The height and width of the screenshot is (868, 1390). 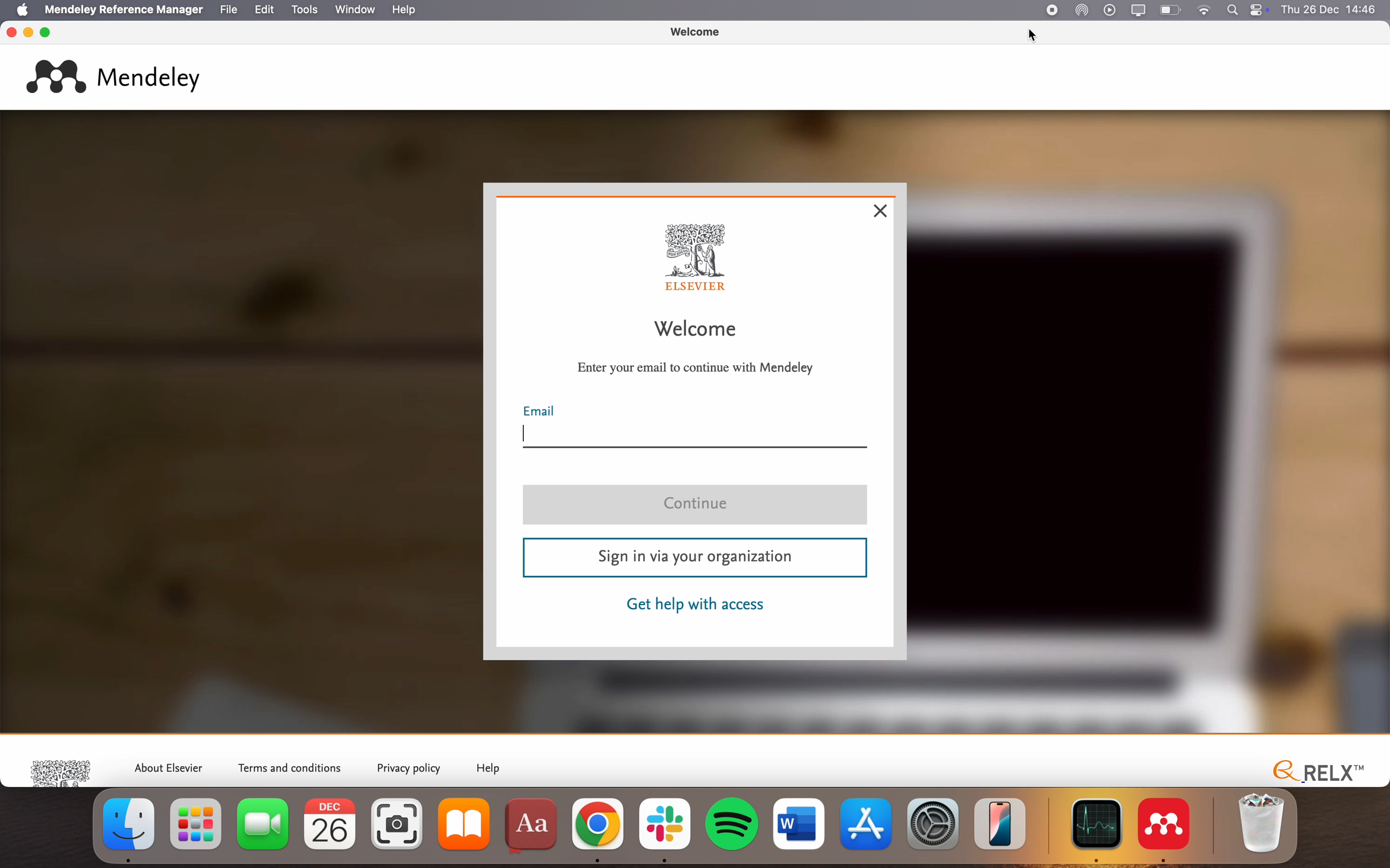 What do you see at coordinates (62, 769) in the screenshot?
I see `elservier logo` at bounding box center [62, 769].